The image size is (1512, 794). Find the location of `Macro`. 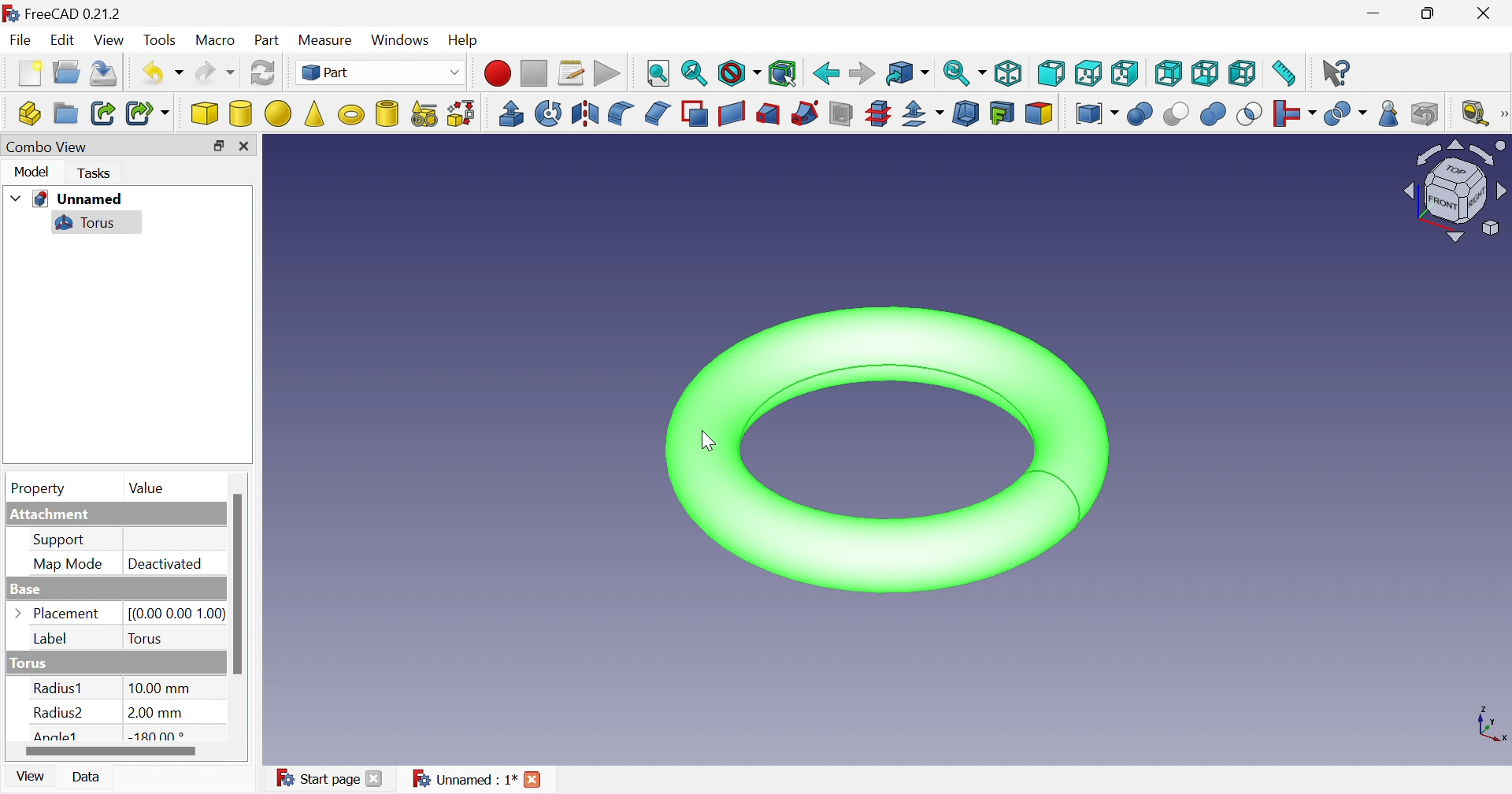

Macro is located at coordinates (214, 39).